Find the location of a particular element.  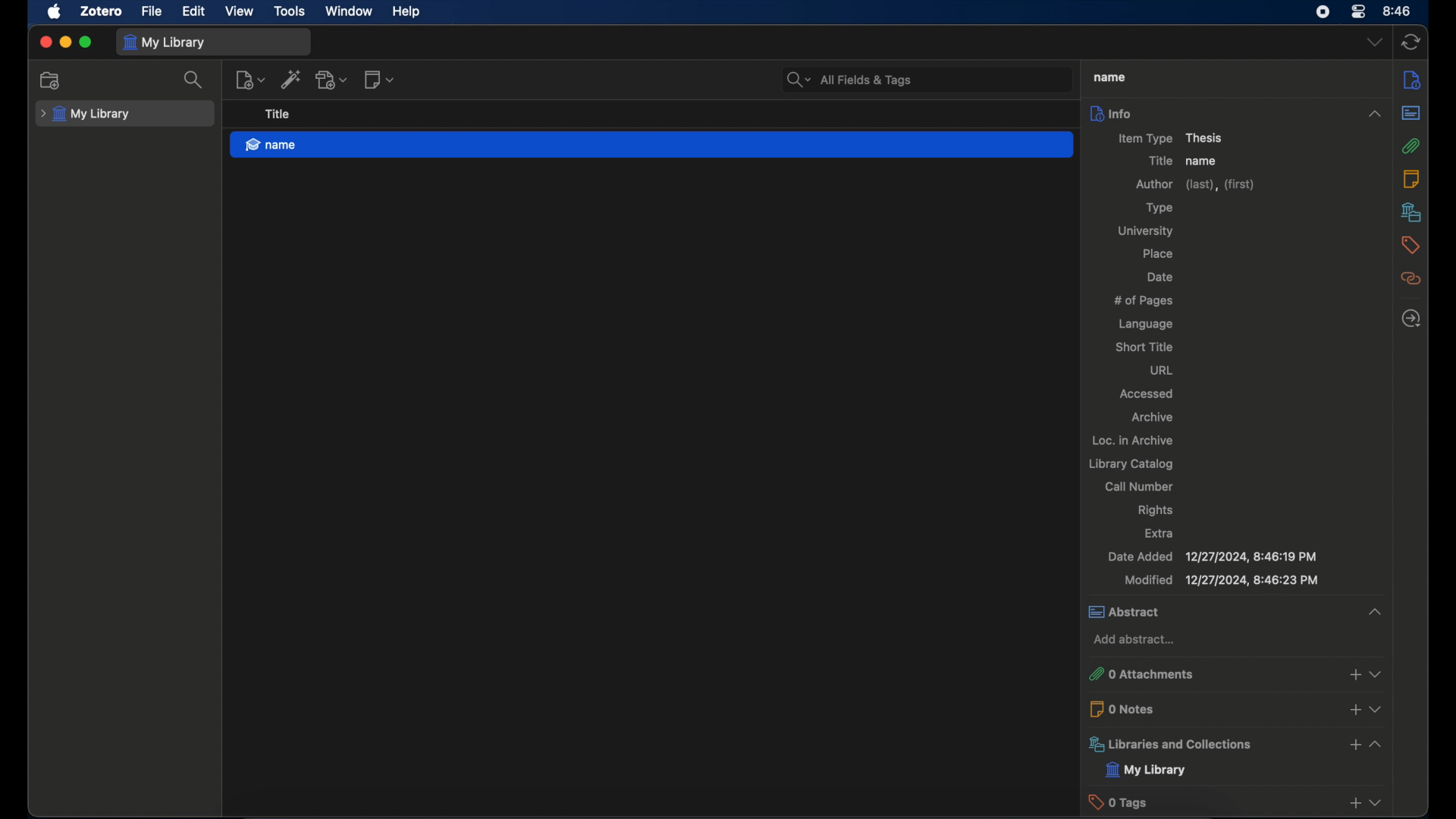

info is located at coordinates (1216, 112).